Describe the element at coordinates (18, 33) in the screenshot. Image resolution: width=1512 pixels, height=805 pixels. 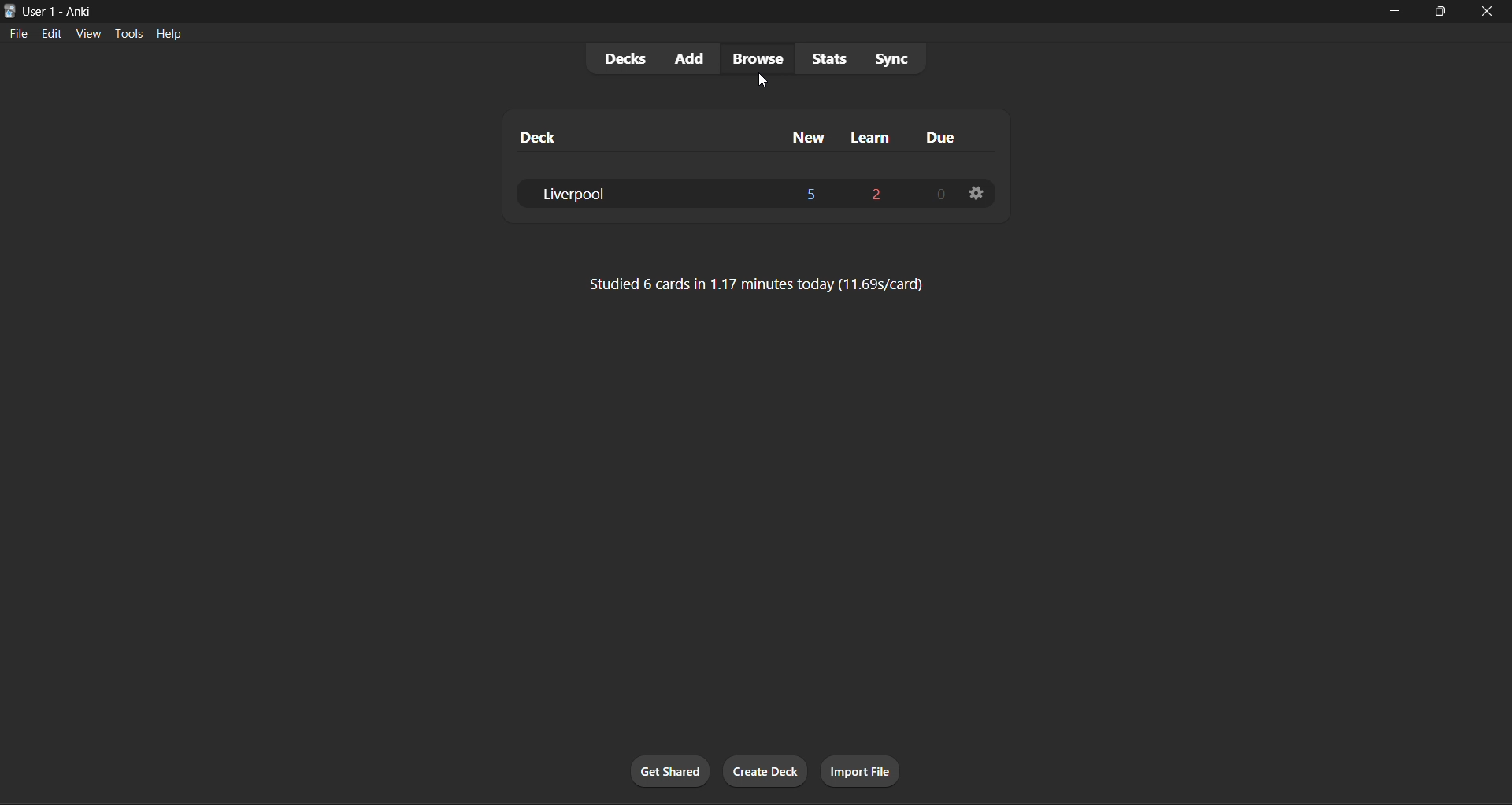
I see `file` at that location.